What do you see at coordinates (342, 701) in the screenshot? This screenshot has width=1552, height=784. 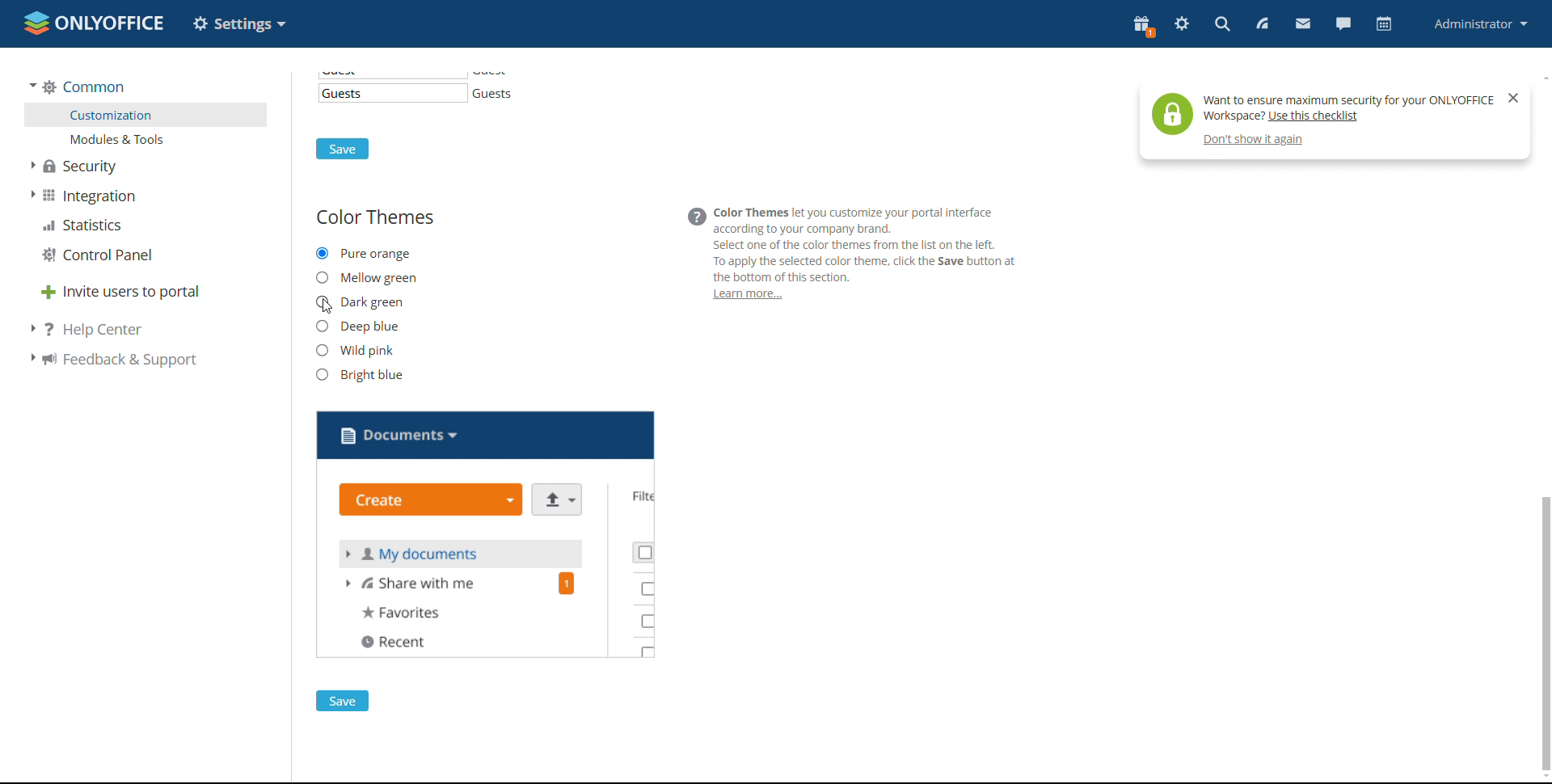 I see `save` at bounding box center [342, 701].